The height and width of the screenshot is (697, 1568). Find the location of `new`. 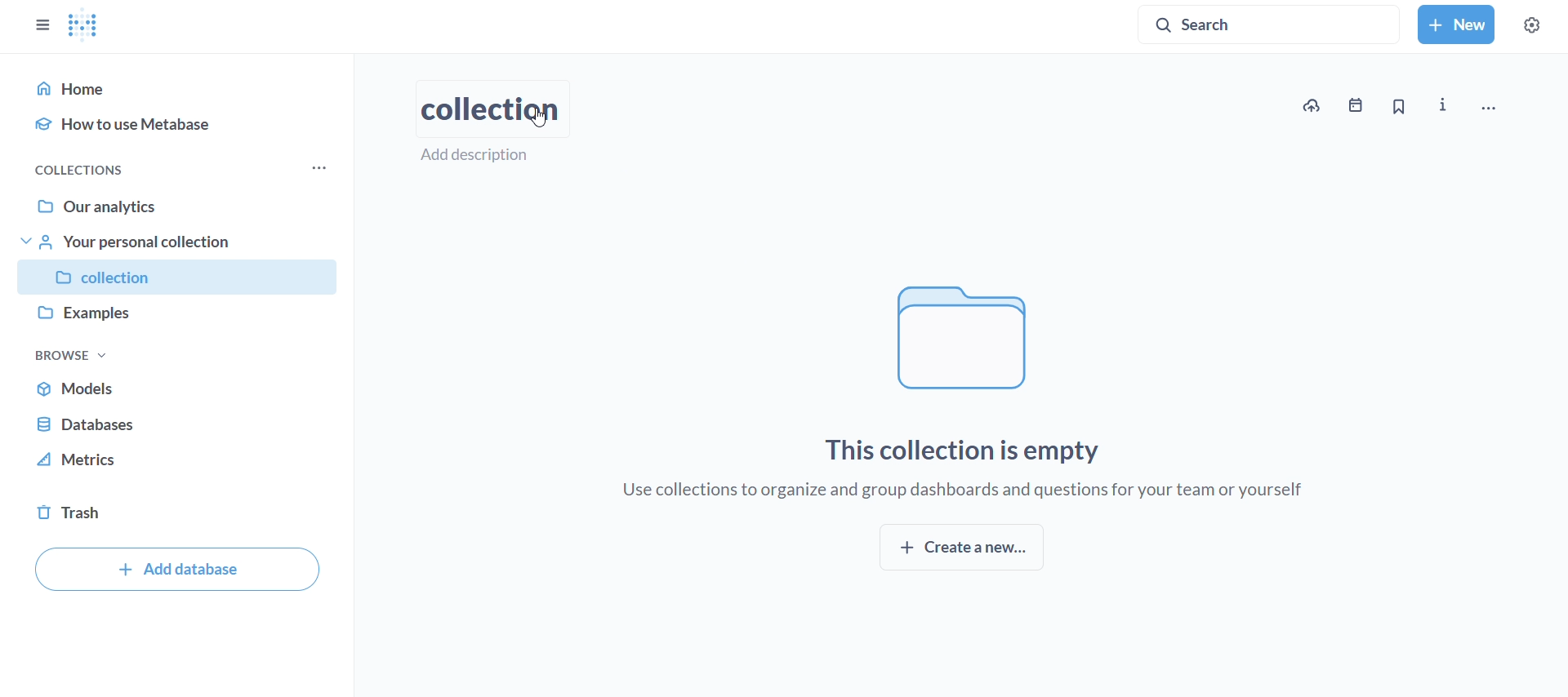

new is located at coordinates (1456, 24).